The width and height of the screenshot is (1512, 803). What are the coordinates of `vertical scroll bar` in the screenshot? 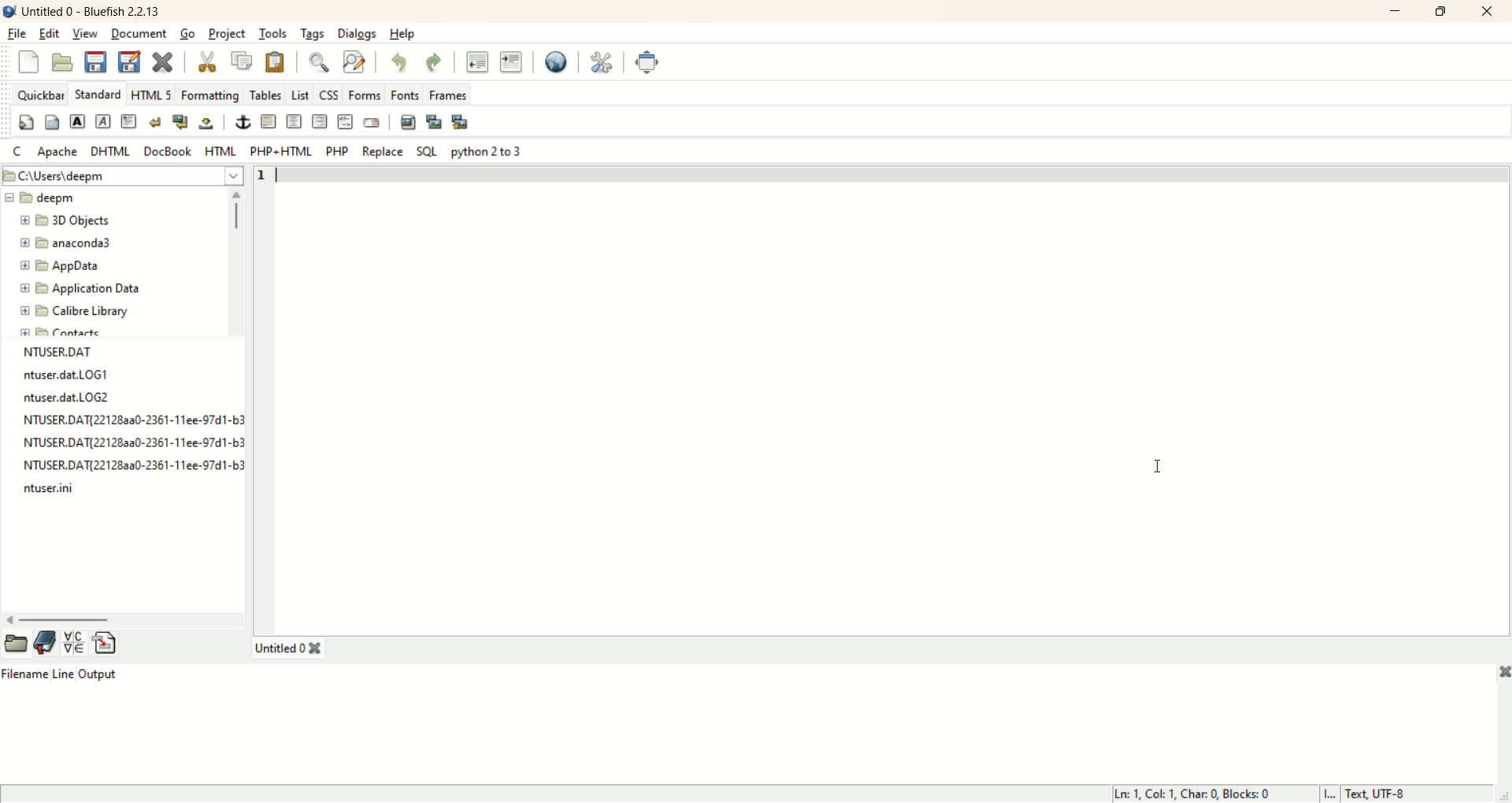 It's located at (235, 261).